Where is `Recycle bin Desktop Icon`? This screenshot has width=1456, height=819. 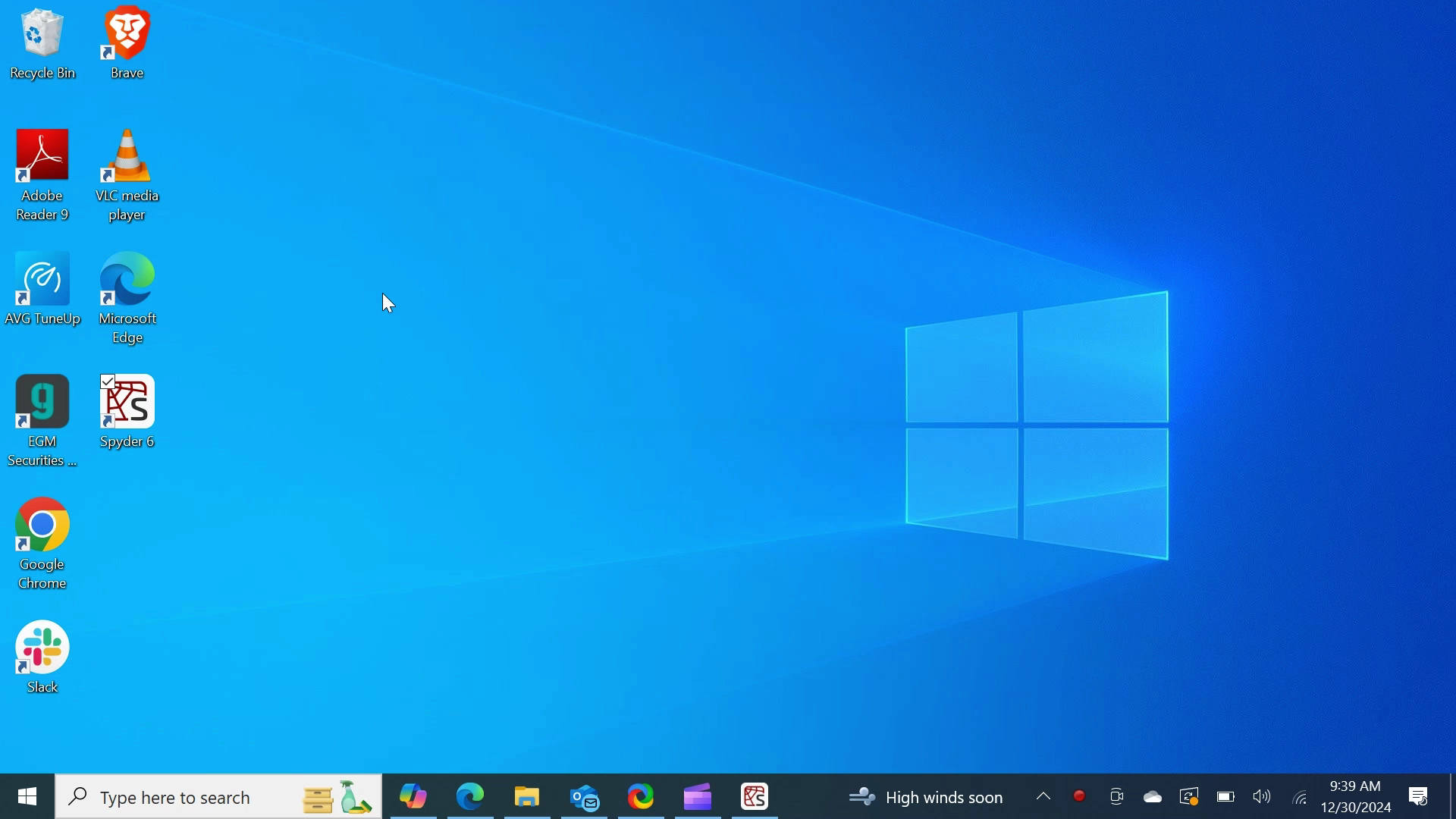 Recycle bin Desktop Icon is located at coordinates (42, 46).